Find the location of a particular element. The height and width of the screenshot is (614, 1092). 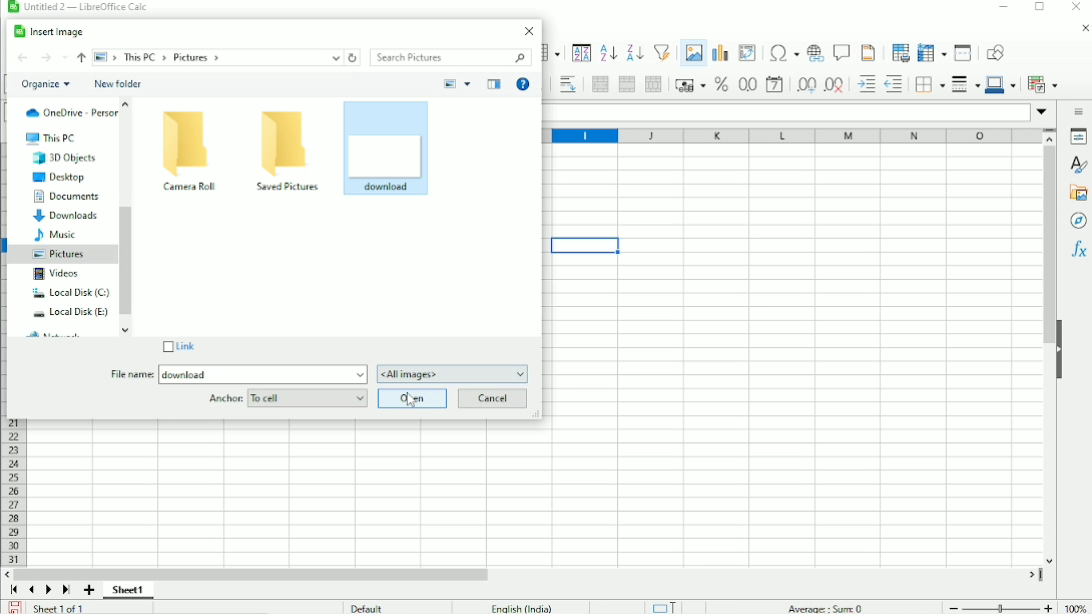

Save is located at coordinates (13, 607).